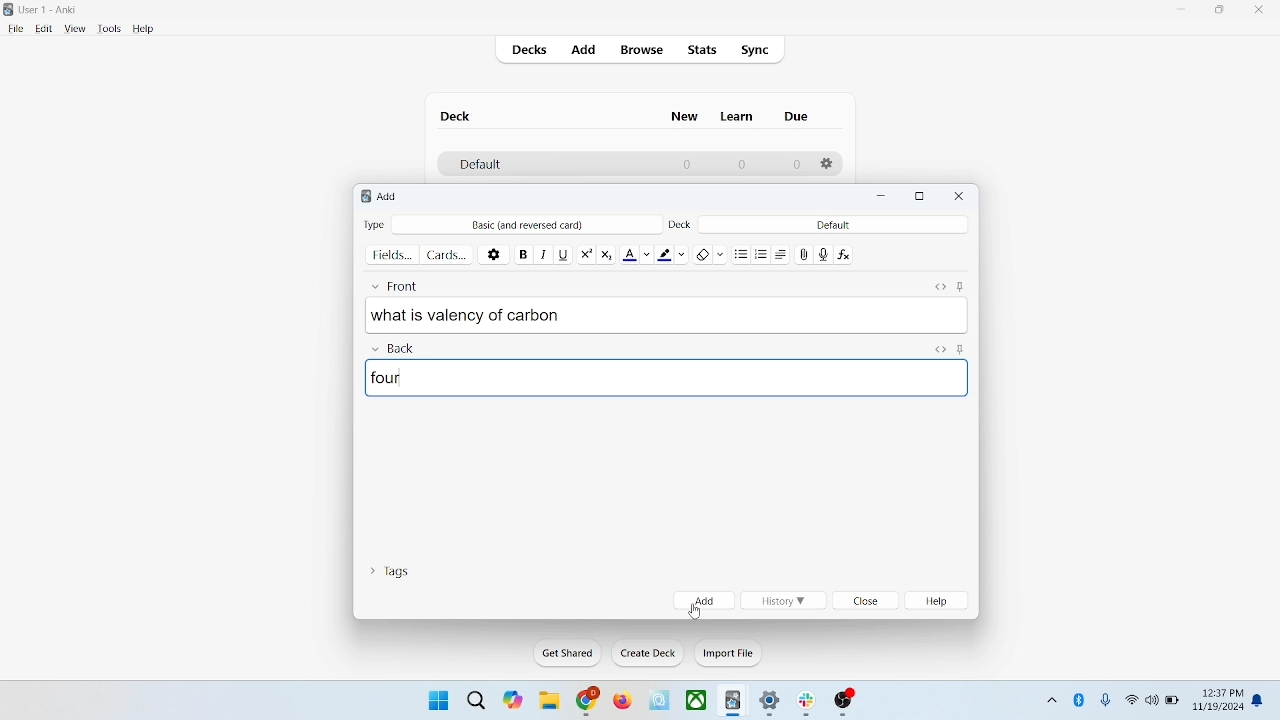  Describe the element at coordinates (1080, 699) in the screenshot. I see `bluetooth` at that location.